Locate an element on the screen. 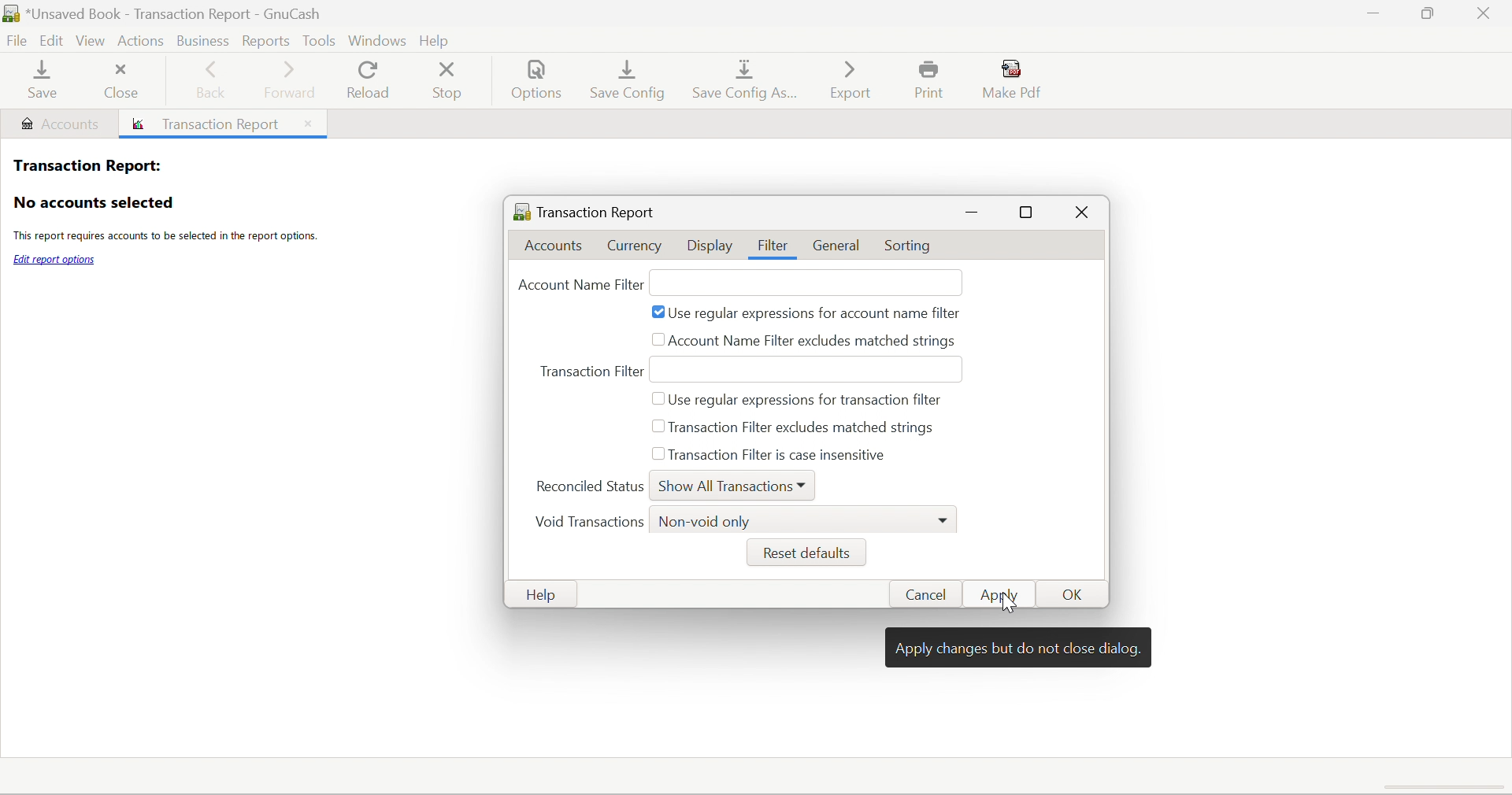 The width and height of the screenshot is (1512, 795). Transaction filter is case insensitive is located at coordinates (777, 453).